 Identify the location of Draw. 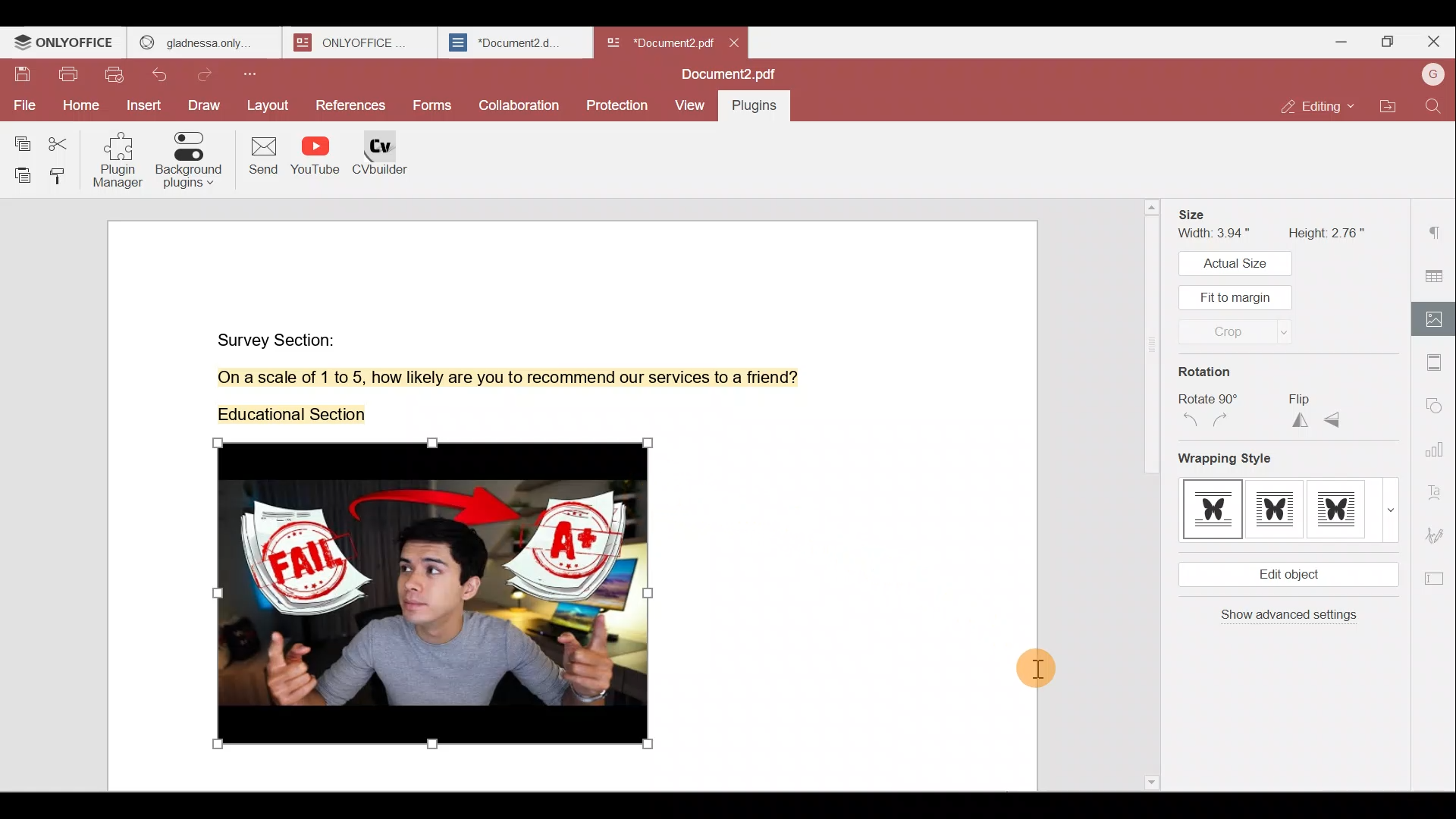
(206, 107).